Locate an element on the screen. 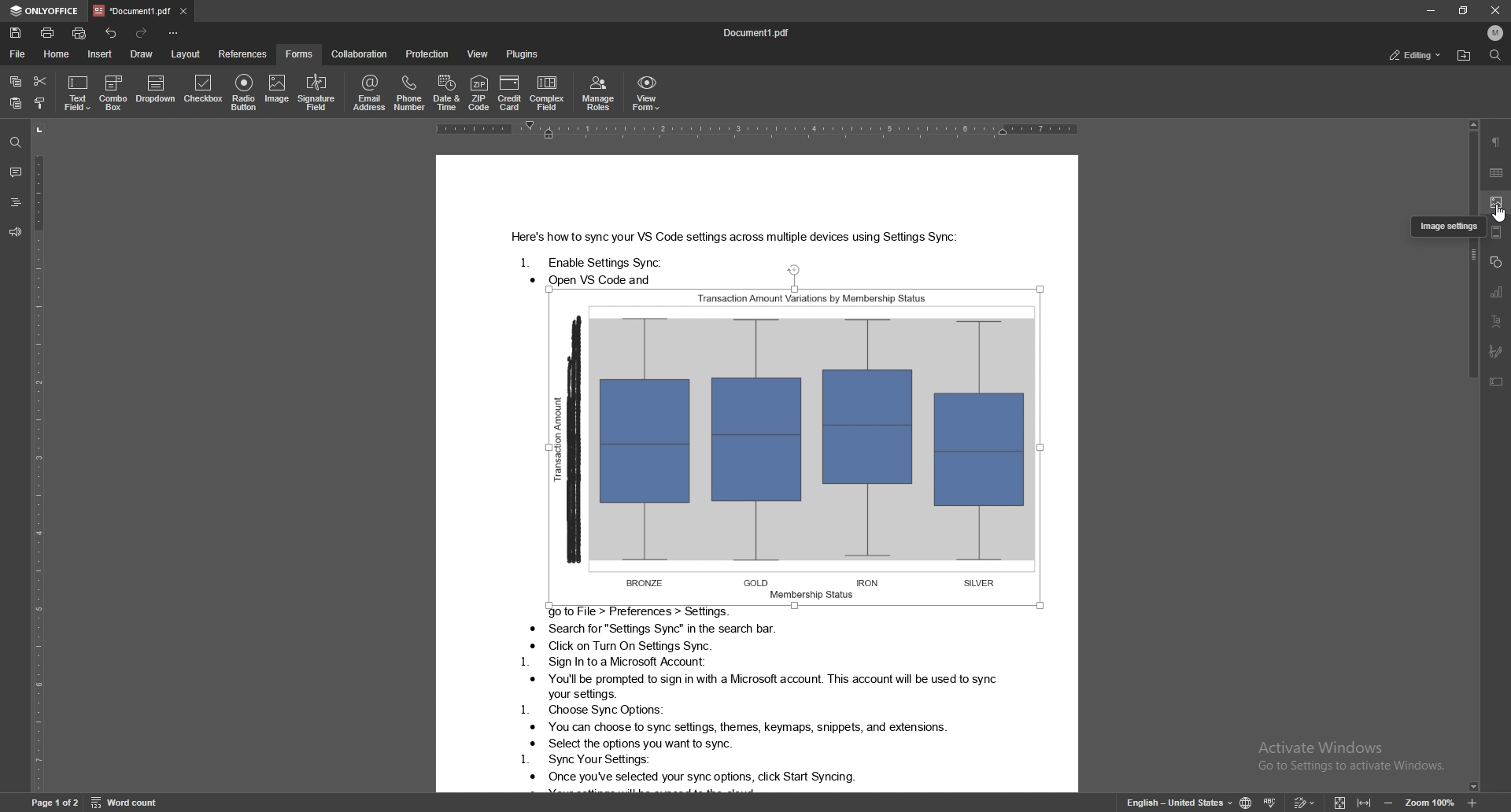 The image size is (1511, 812). signature field is located at coordinates (316, 94).